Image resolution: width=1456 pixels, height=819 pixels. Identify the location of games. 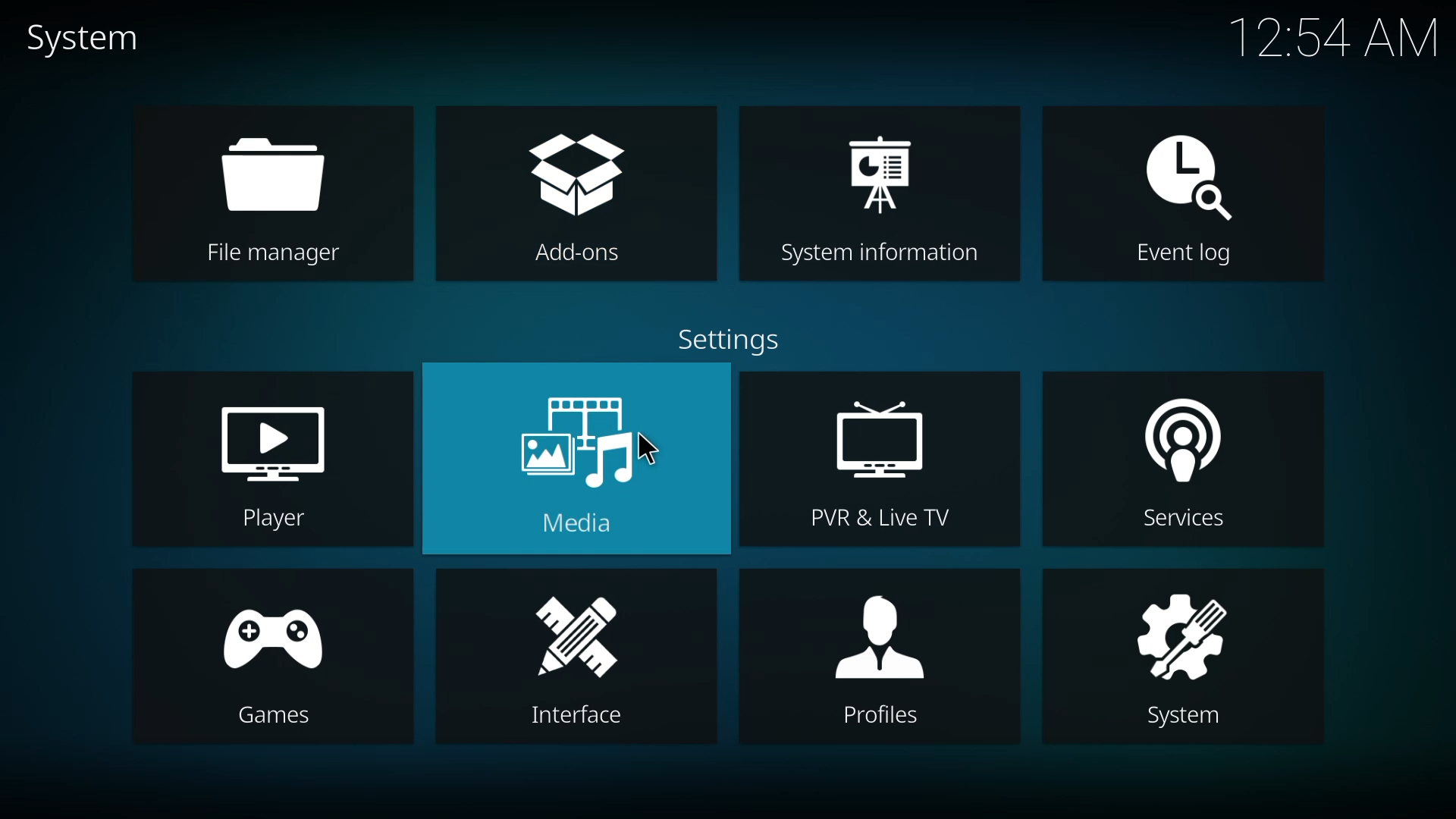
(279, 661).